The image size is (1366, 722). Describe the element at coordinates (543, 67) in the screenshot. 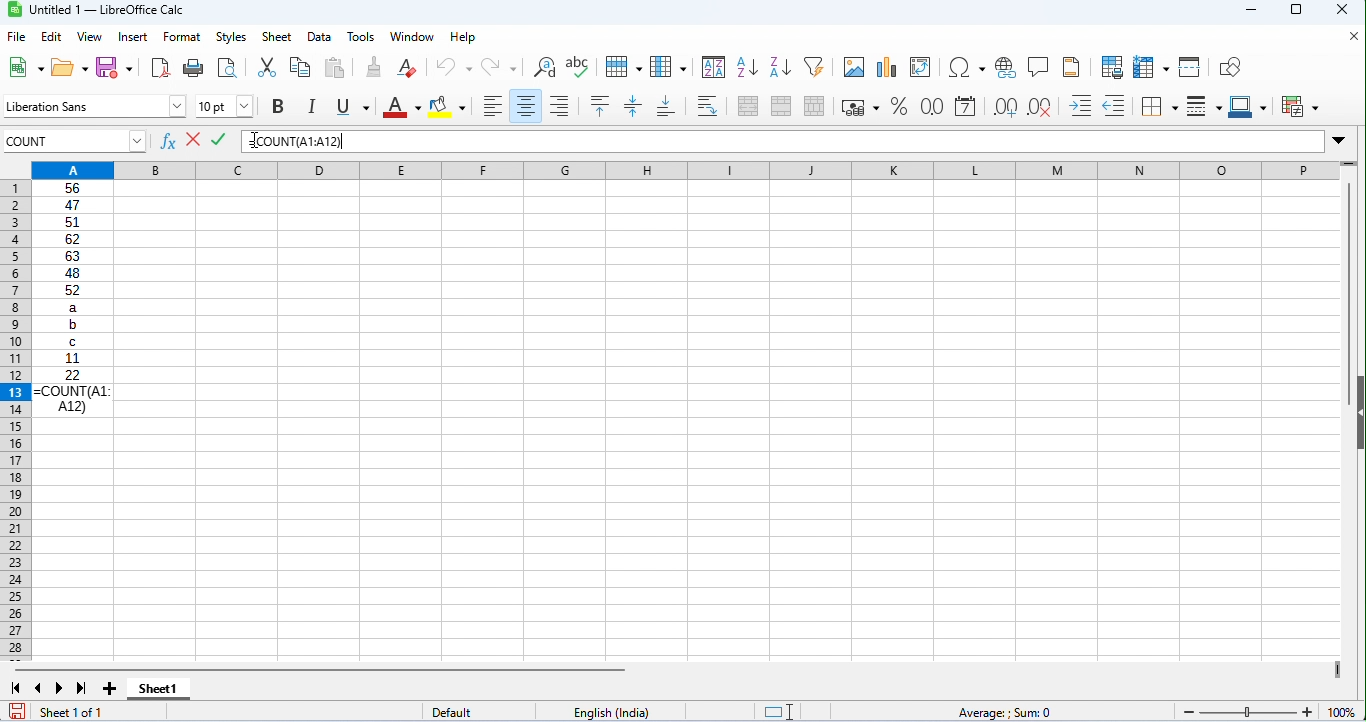

I see `find and replace` at that location.